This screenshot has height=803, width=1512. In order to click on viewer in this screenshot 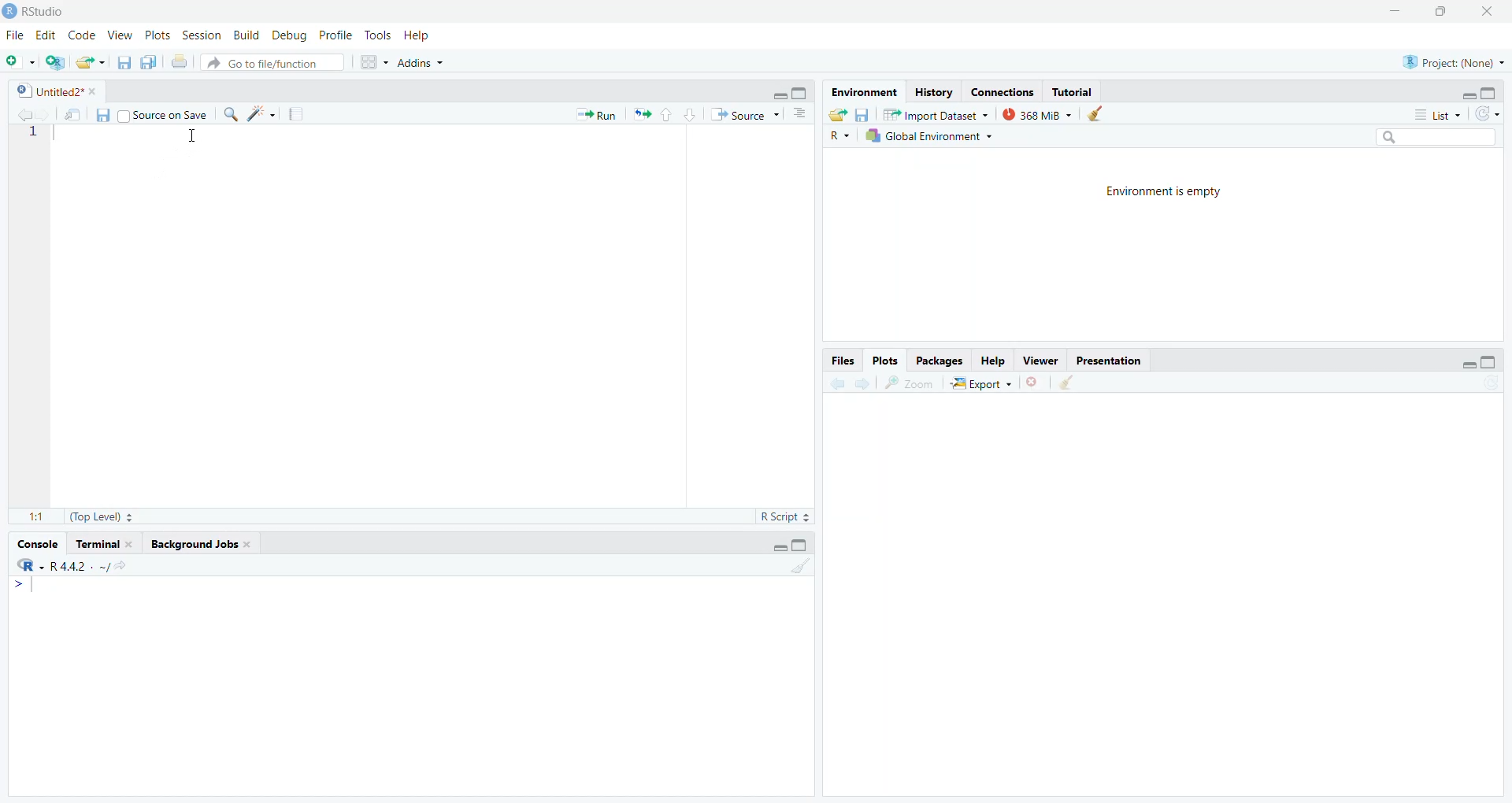, I will do `click(1042, 361)`.